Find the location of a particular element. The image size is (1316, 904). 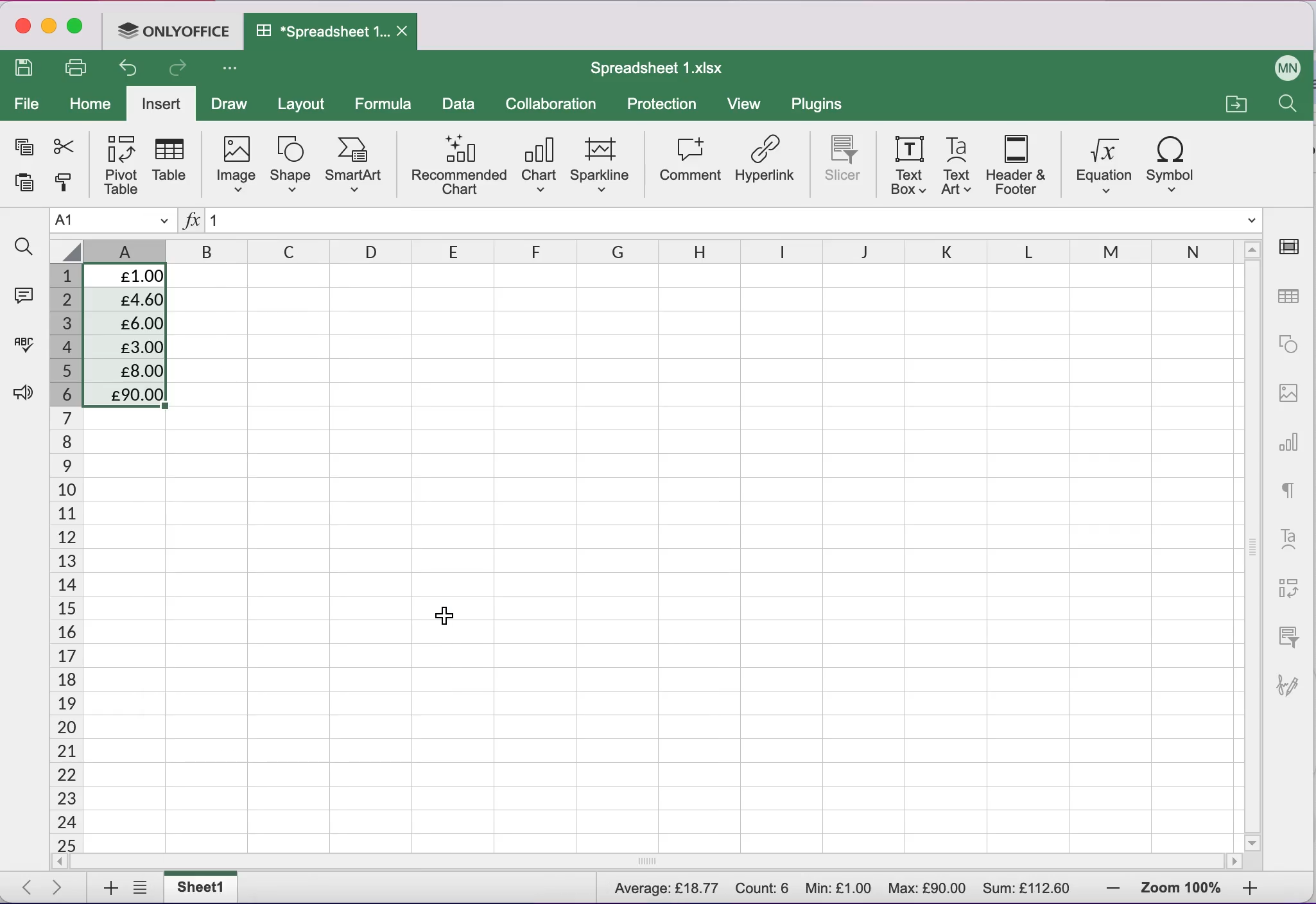

list of sheets is located at coordinates (140, 889).